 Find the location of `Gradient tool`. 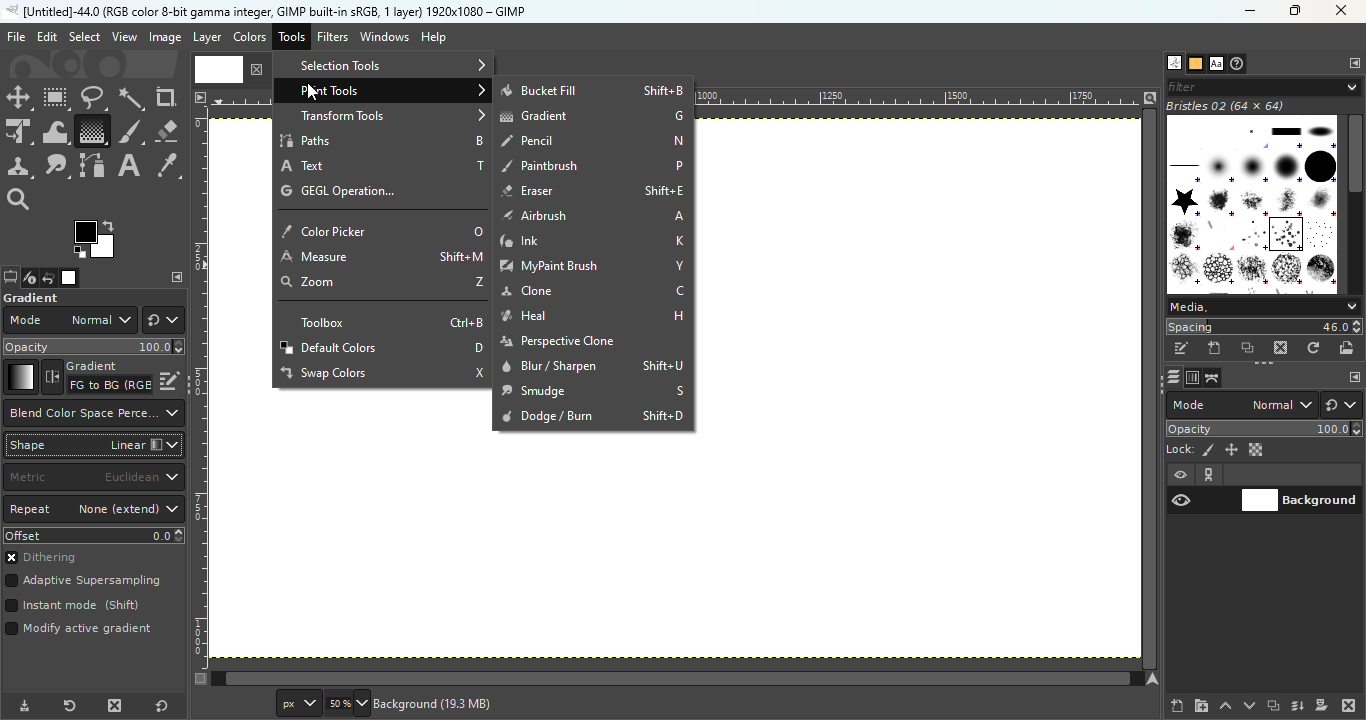

Gradient tool is located at coordinates (91, 131).